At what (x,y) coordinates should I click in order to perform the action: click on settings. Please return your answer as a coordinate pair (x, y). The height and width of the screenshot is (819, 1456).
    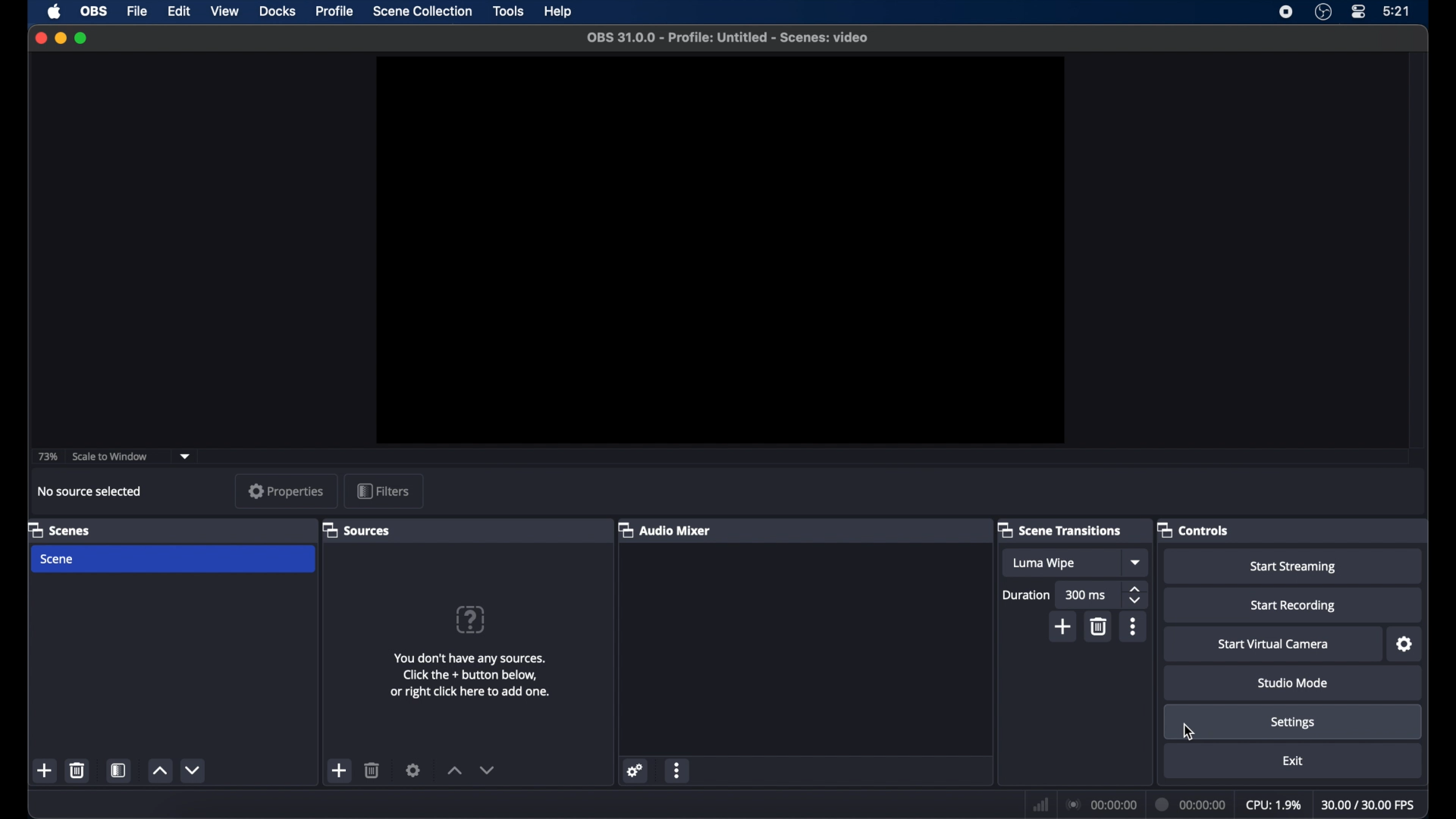
    Looking at the image, I should click on (1292, 723).